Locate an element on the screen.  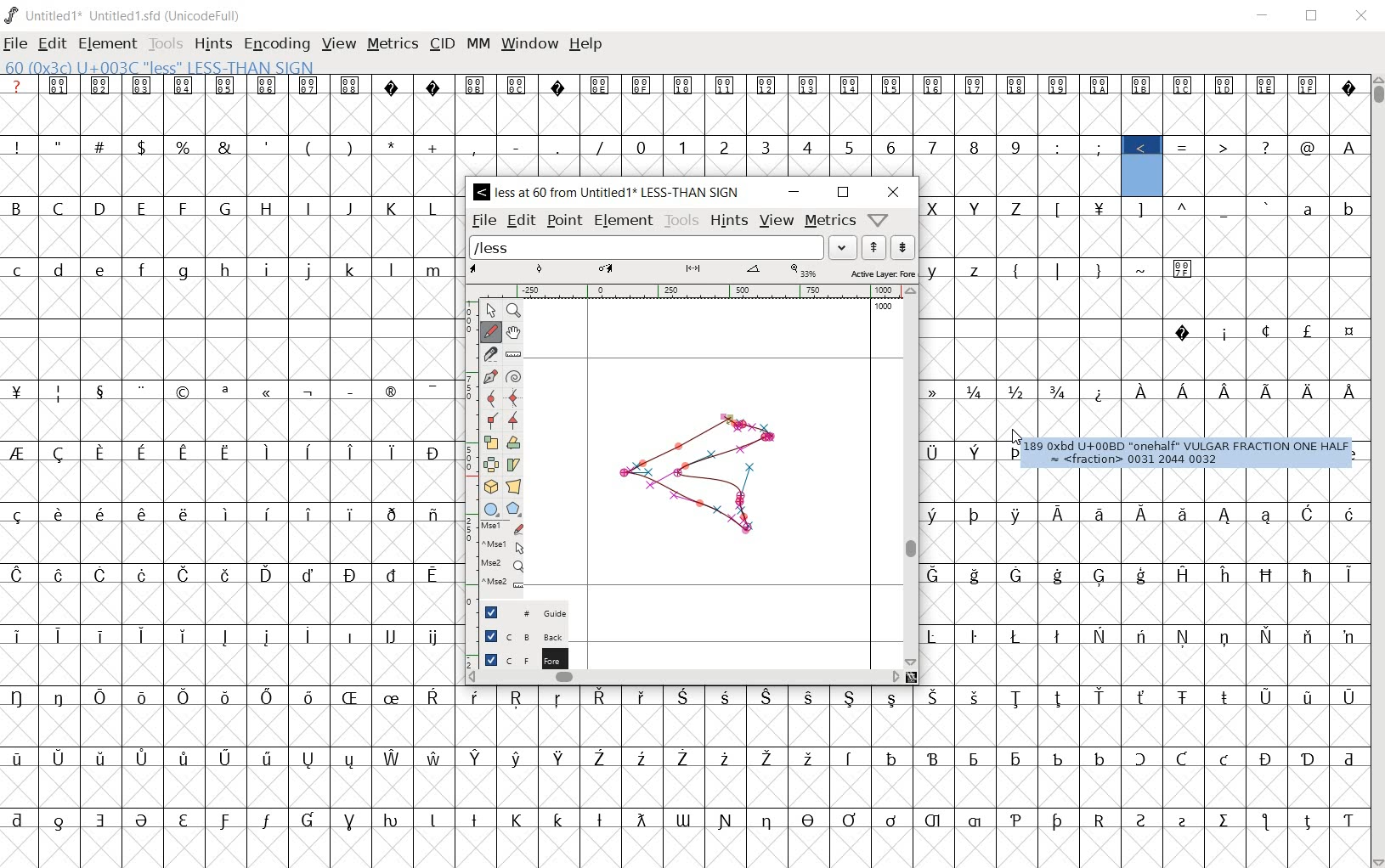
fractions  is located at coordinates (1002, 389).